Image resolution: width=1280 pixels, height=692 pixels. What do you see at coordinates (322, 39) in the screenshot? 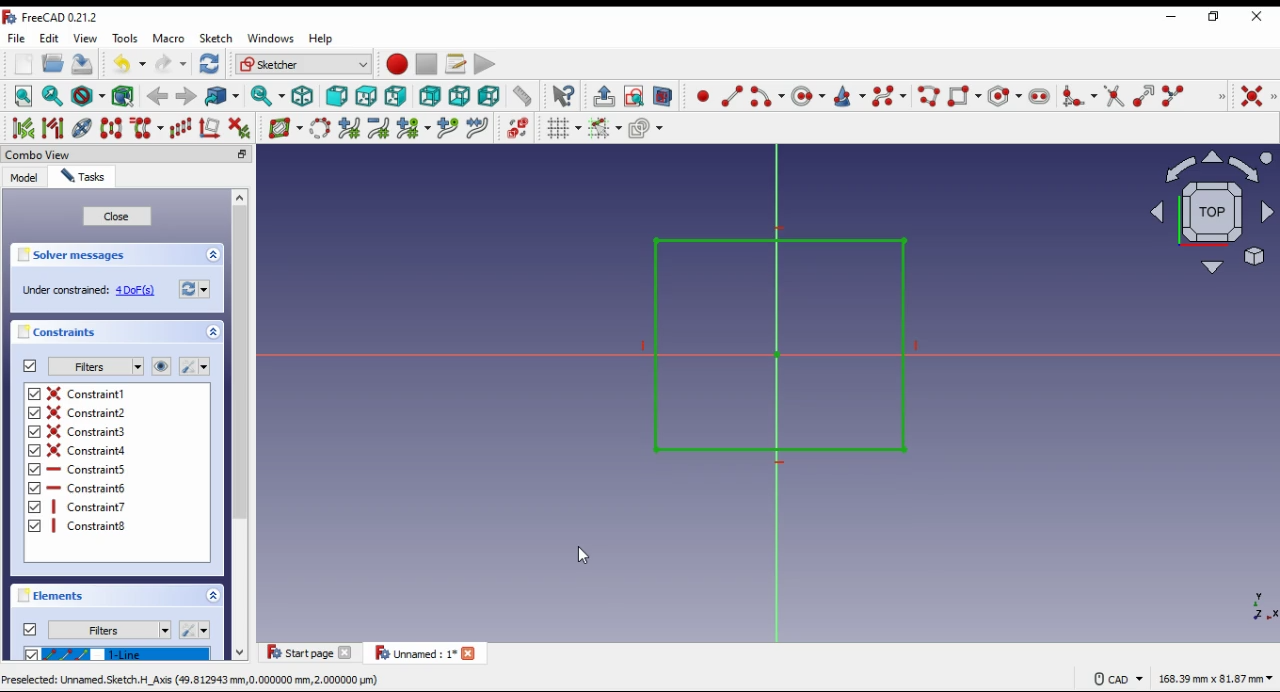
I see `help` at bounding box center [322, 39].